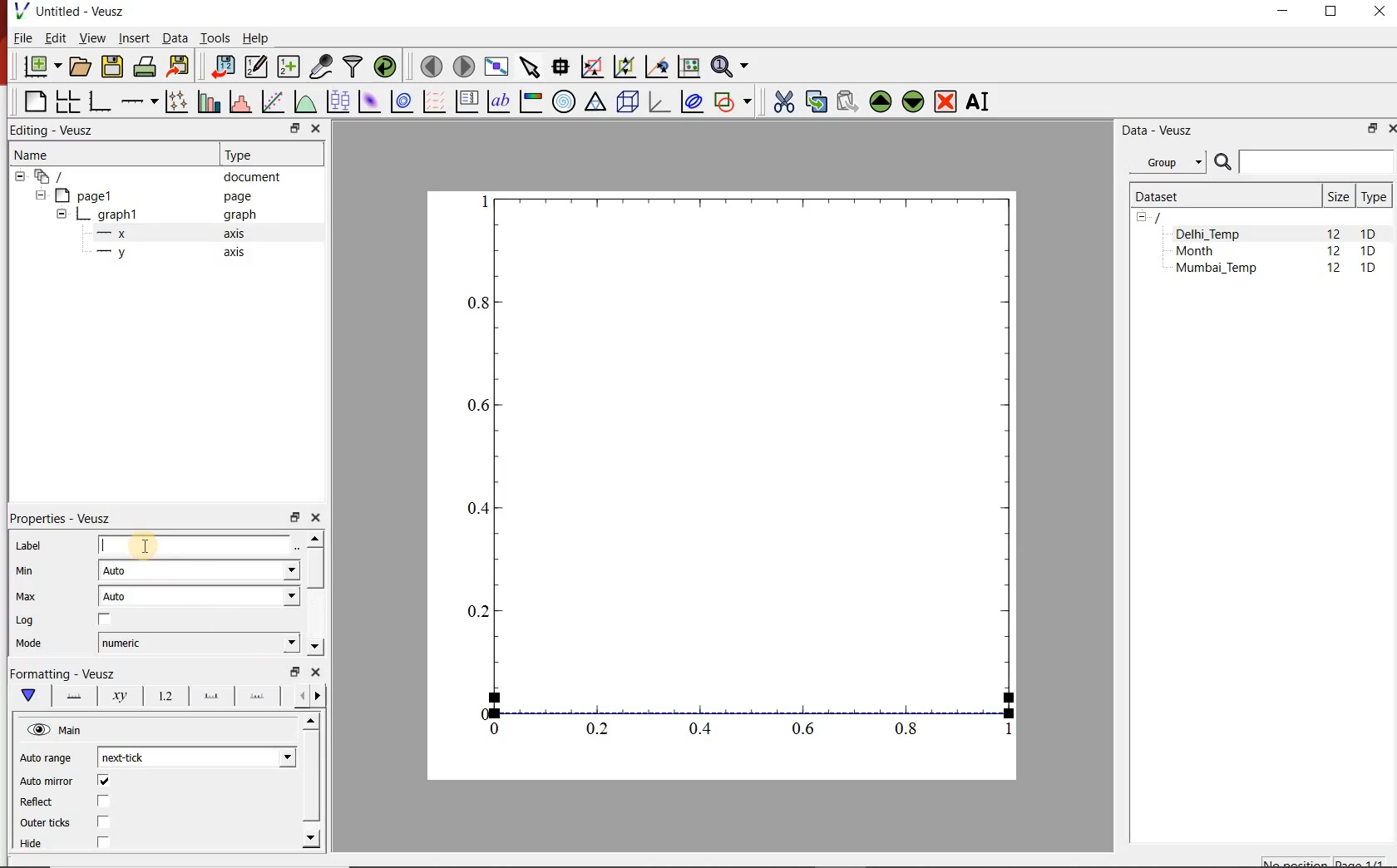  I want to click on Group, so click(1167, 160).